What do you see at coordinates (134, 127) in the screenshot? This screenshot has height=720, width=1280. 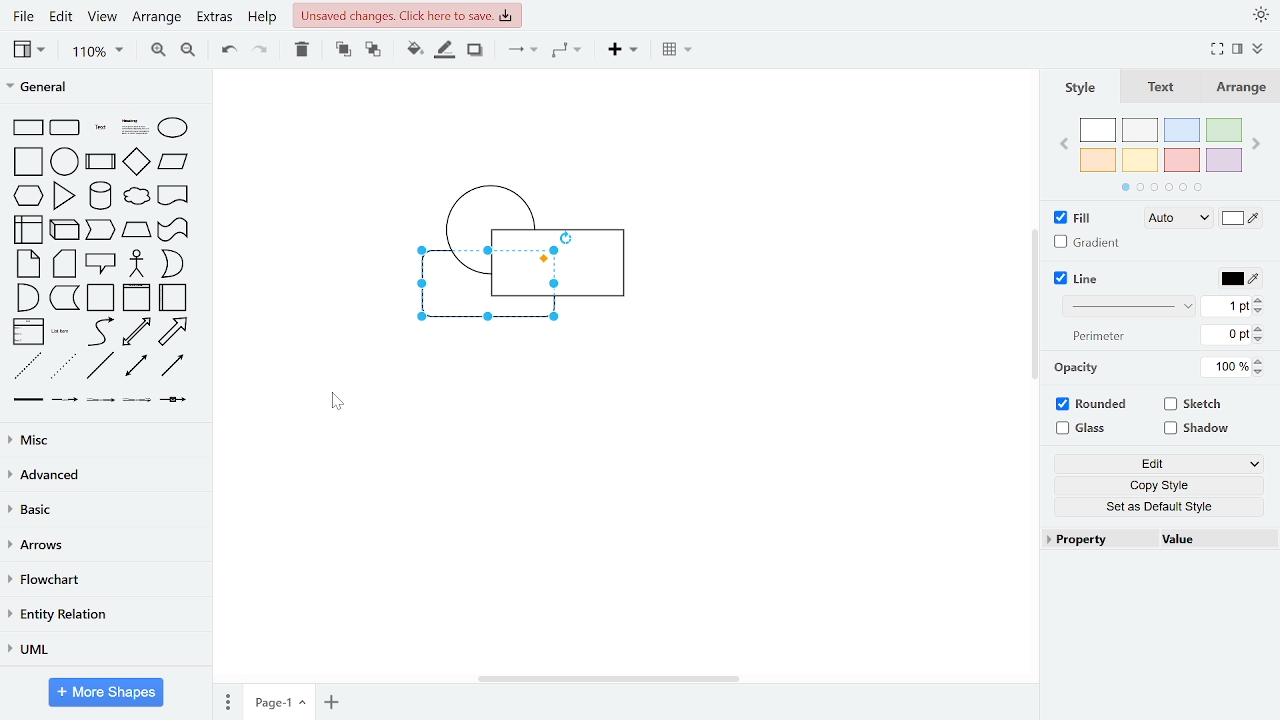 I see `heading` at bounding box center [134, 127].